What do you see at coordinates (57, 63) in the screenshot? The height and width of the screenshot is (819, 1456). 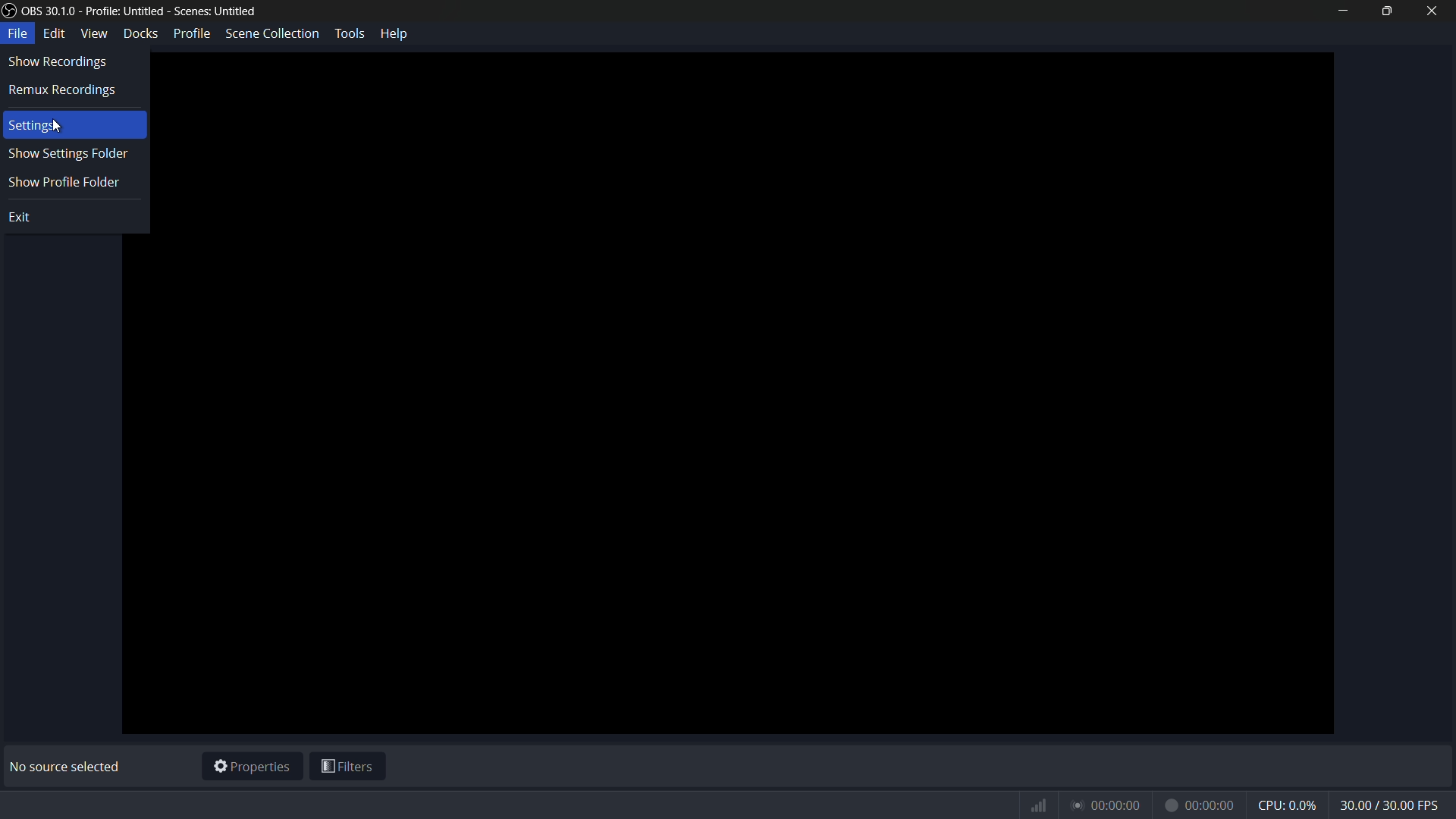 I see `show recordings` at bounding box center [57, 63].